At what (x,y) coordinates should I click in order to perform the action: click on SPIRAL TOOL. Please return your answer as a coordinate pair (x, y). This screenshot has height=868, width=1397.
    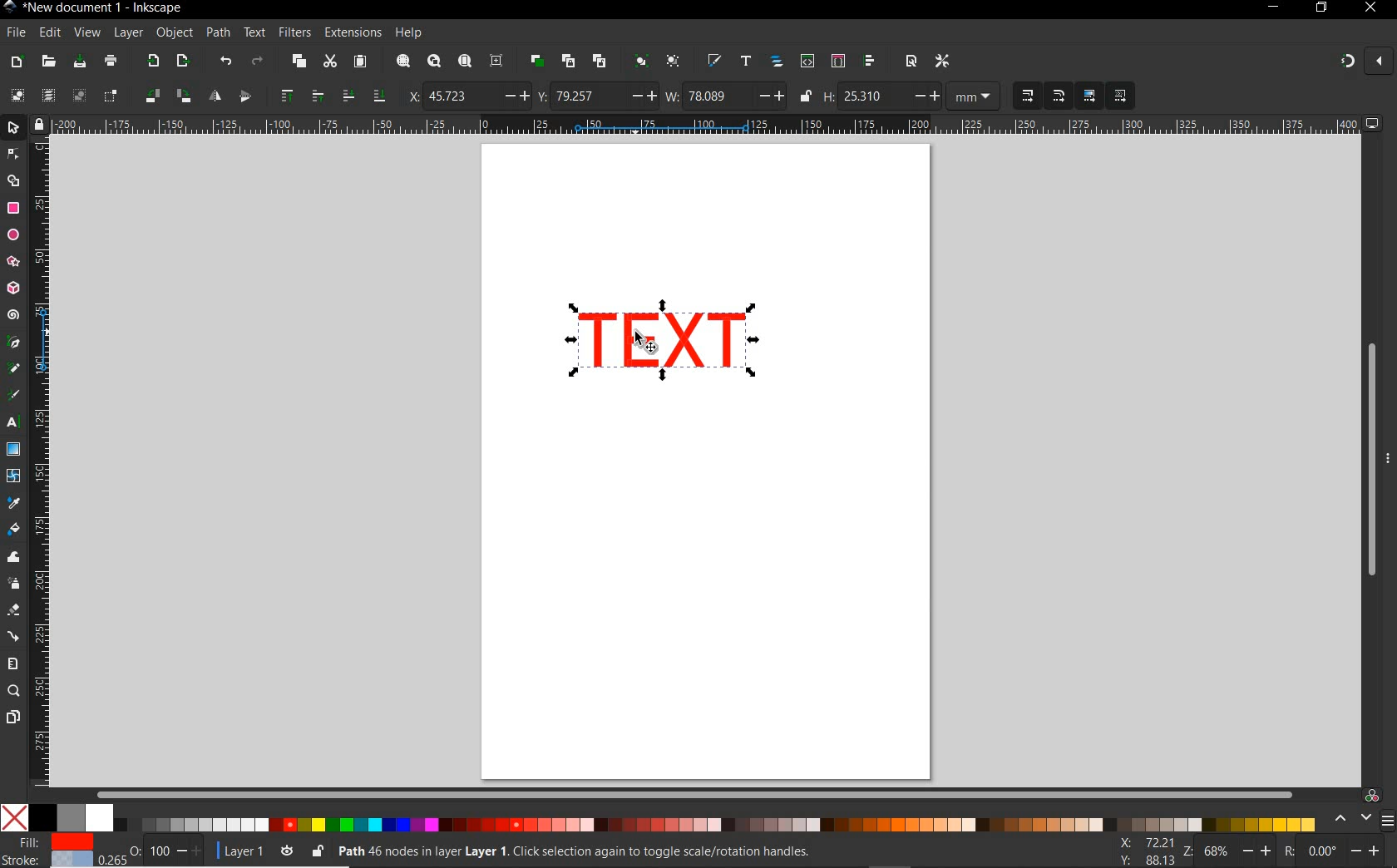
    Looking at the image, I should click on (13, 316).